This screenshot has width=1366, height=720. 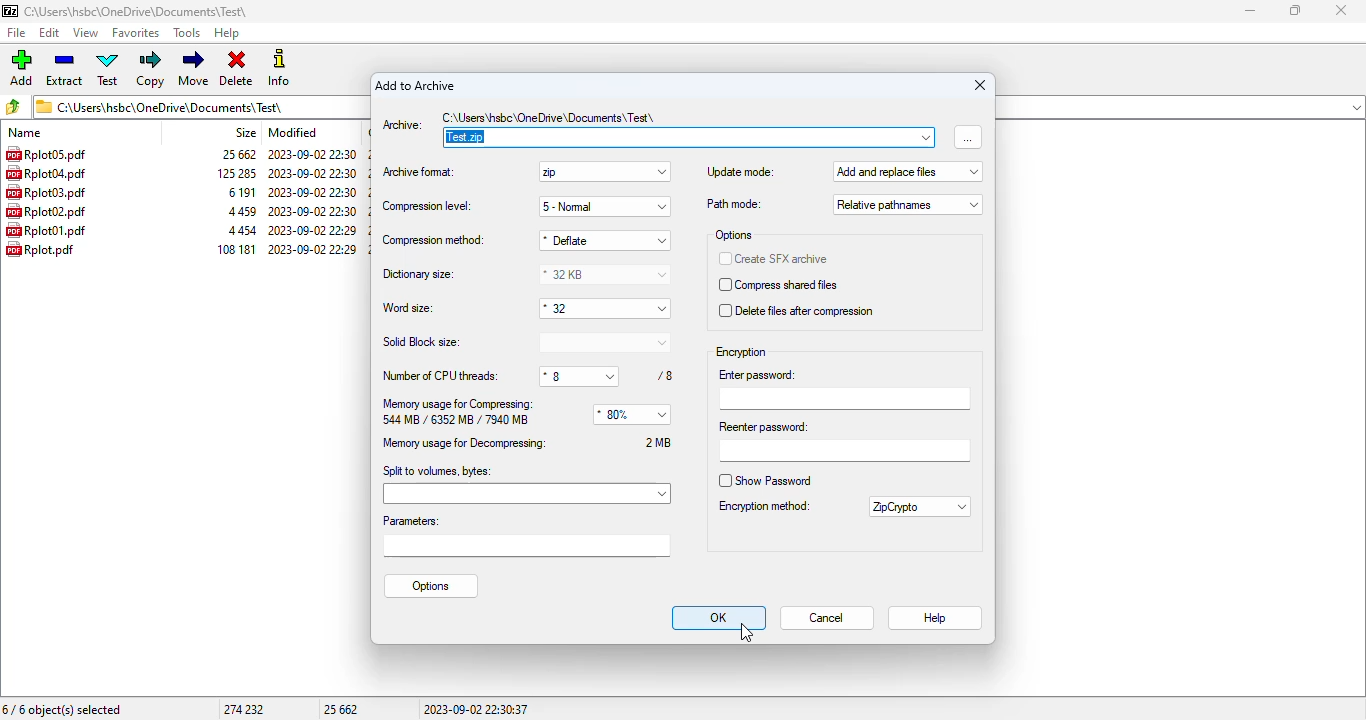 What do you see at coordinates (151, 69) in the screenshot?
I see `copy` at bounding box center [151, 69].